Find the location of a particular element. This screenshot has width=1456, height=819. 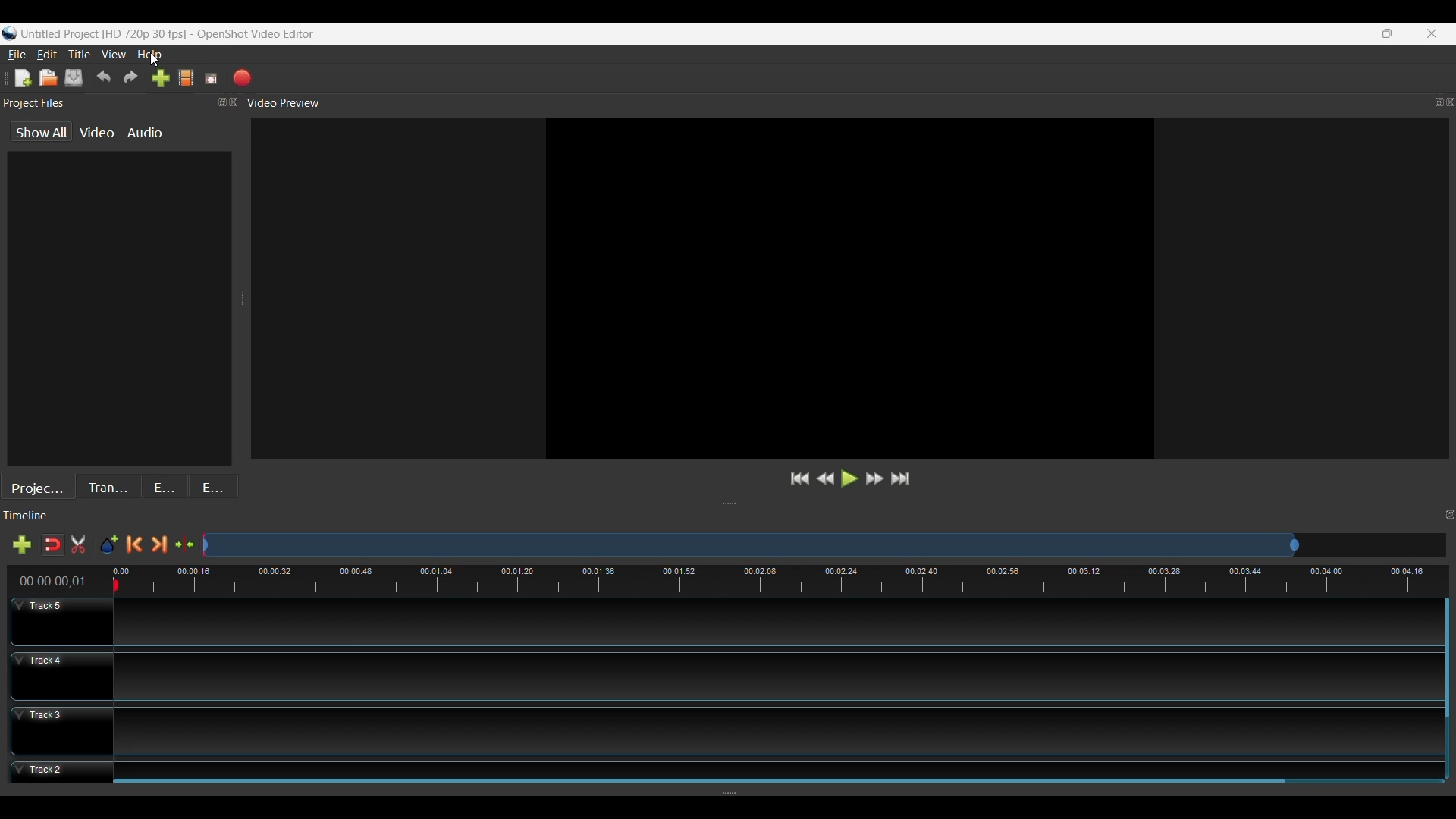

Horizontal Scroll bar is located at coordinates (699, 780).